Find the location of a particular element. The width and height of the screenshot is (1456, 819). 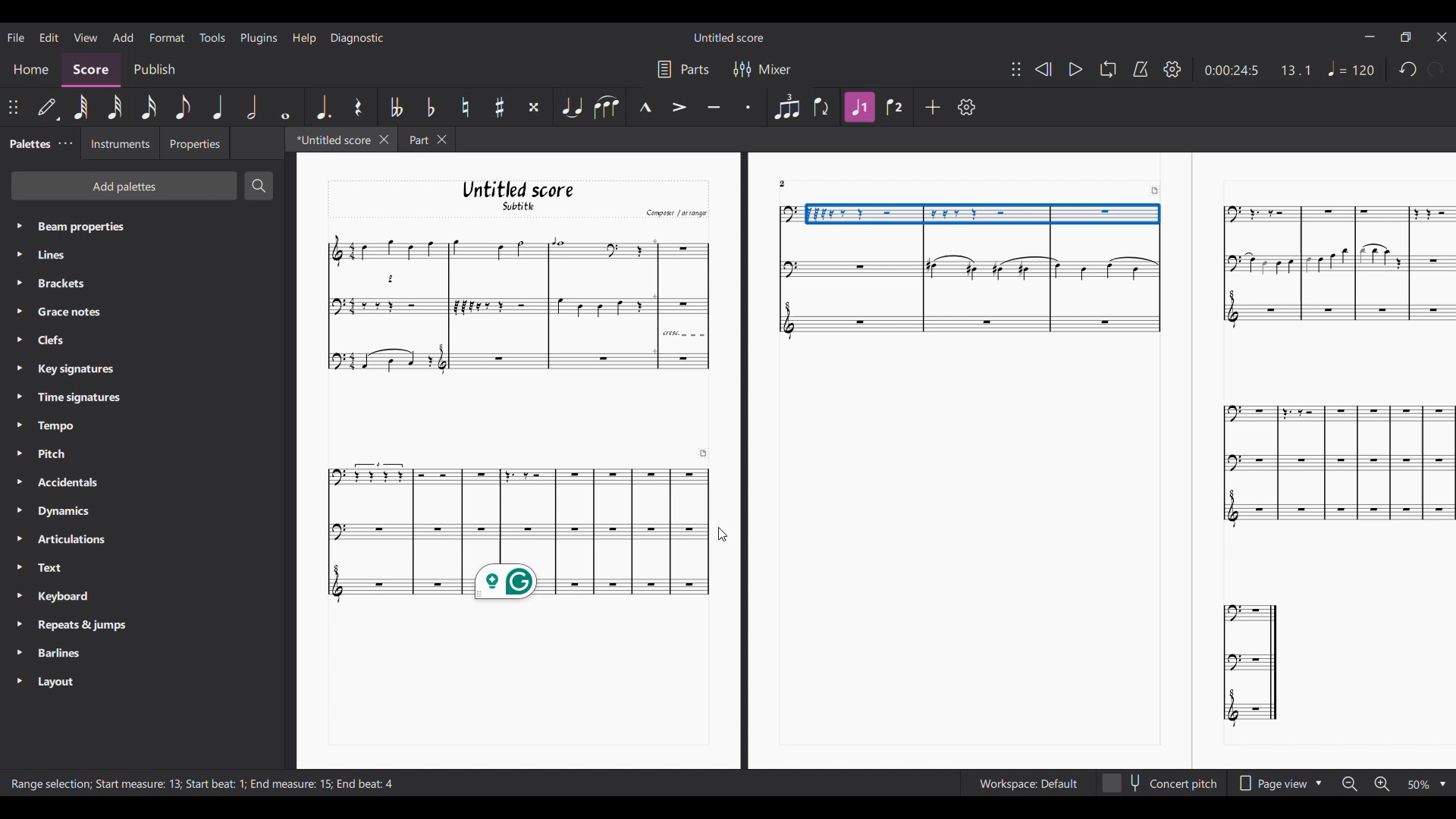

0:00:26:5 14.1 is located at coordinates (1263, 69).